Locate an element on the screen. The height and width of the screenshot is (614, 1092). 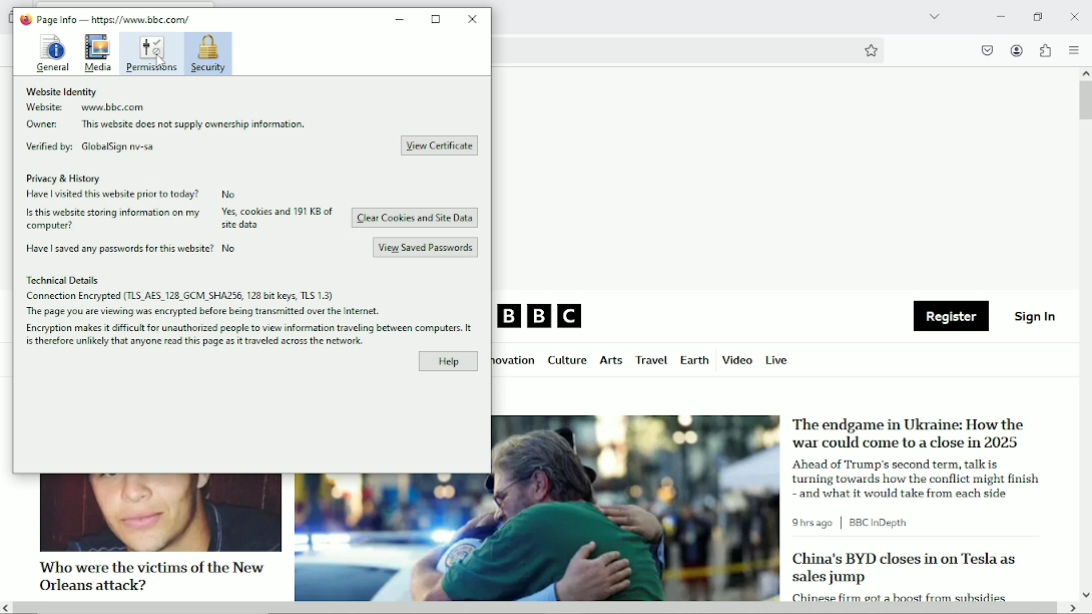
image is located at coordinates (159, 513).